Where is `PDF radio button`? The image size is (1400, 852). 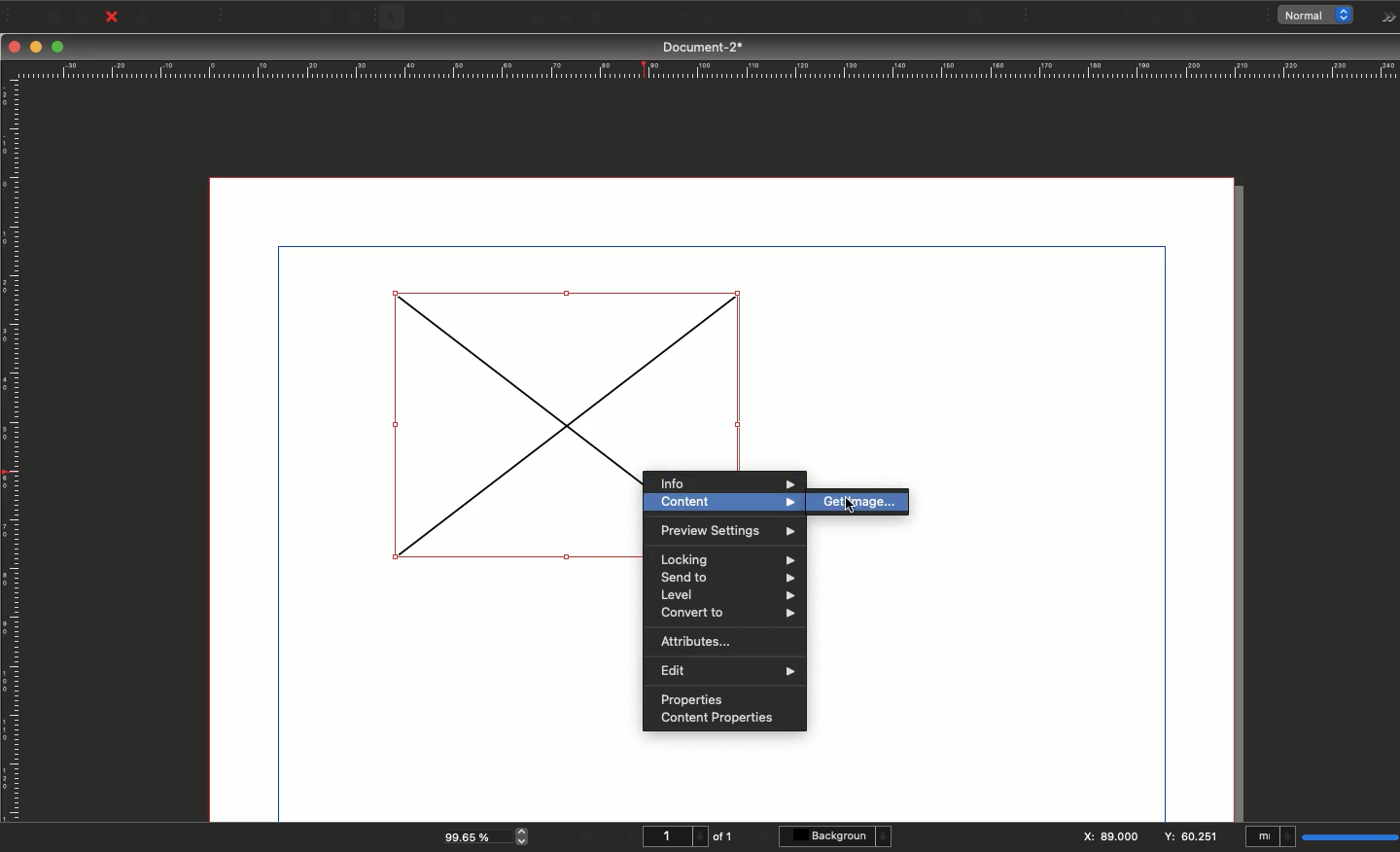
PDF radio button is located at coordinates (1102, 18).